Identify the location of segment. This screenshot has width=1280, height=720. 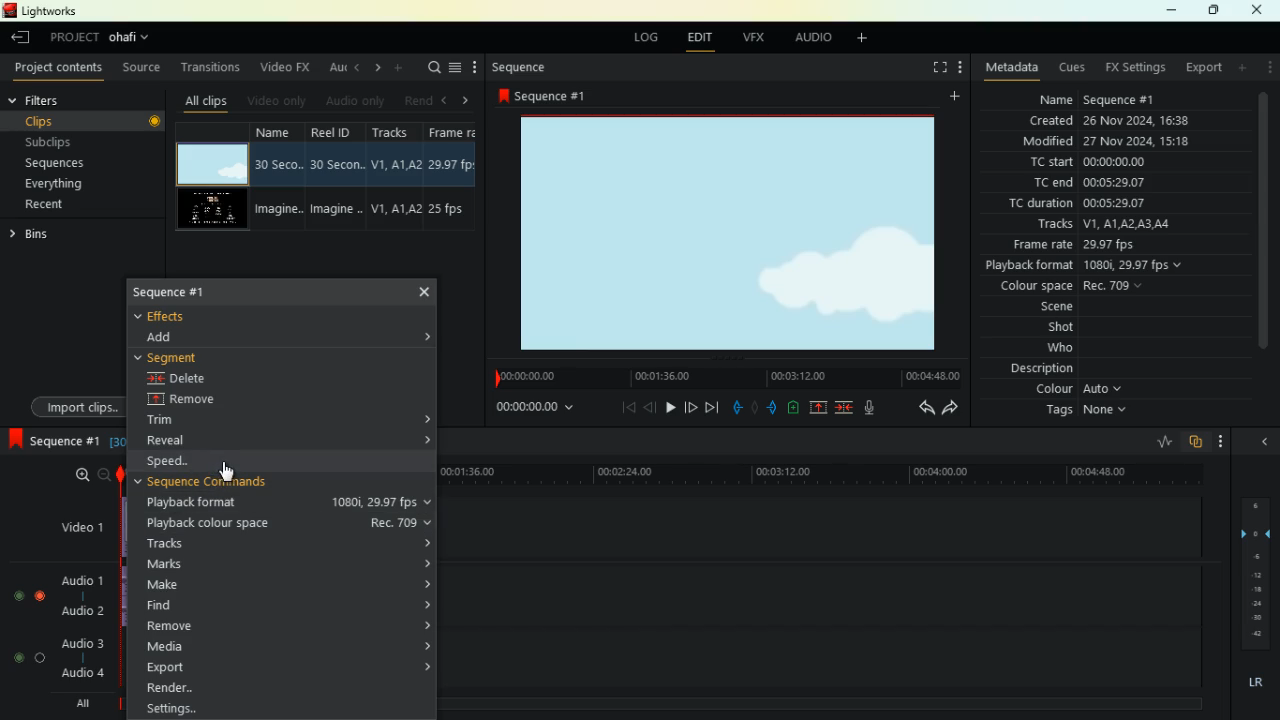
(190, 359).